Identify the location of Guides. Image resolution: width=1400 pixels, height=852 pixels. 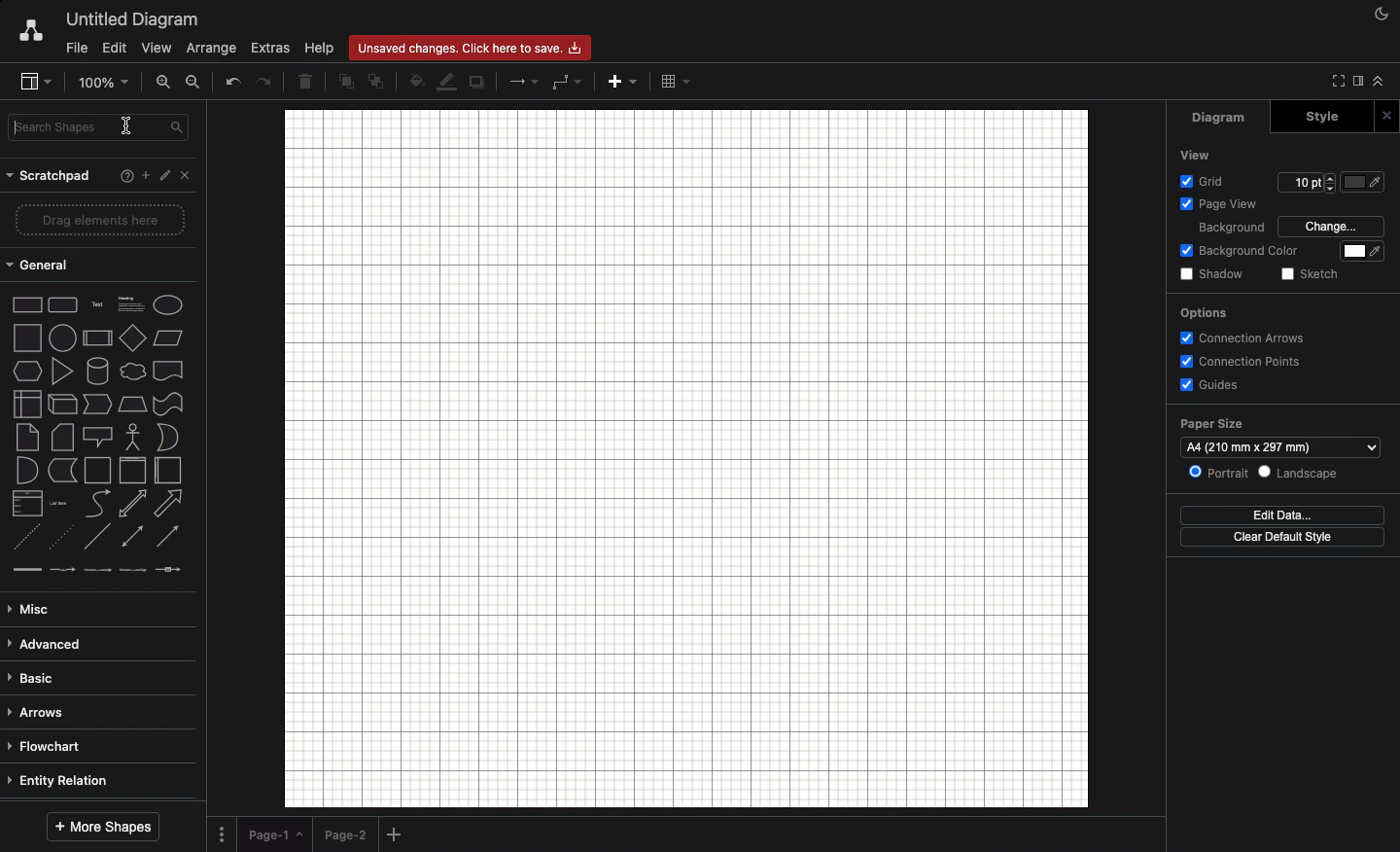
(1211, 385).